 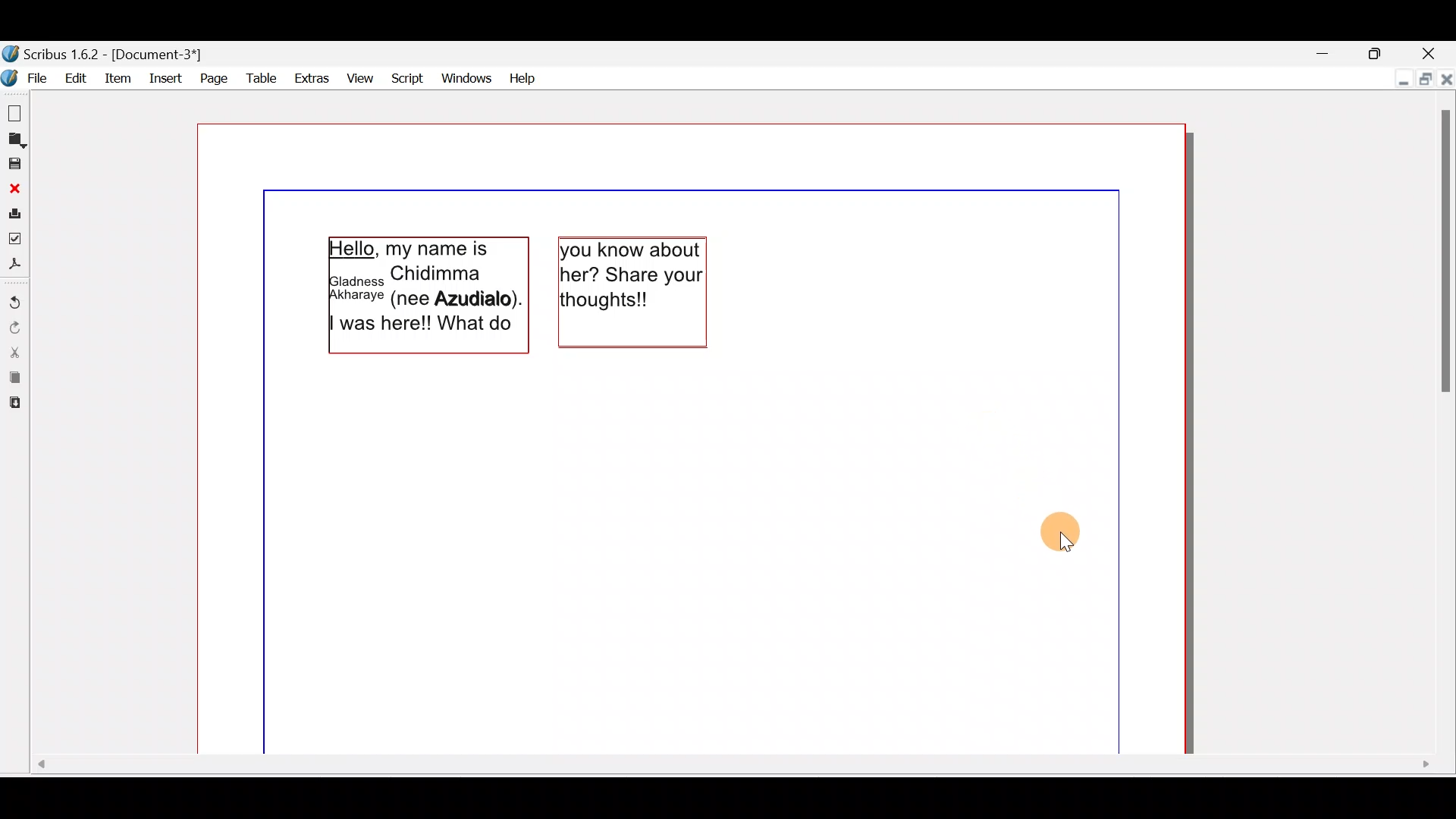 I want to click on Close, so click(x=1429, y=52).